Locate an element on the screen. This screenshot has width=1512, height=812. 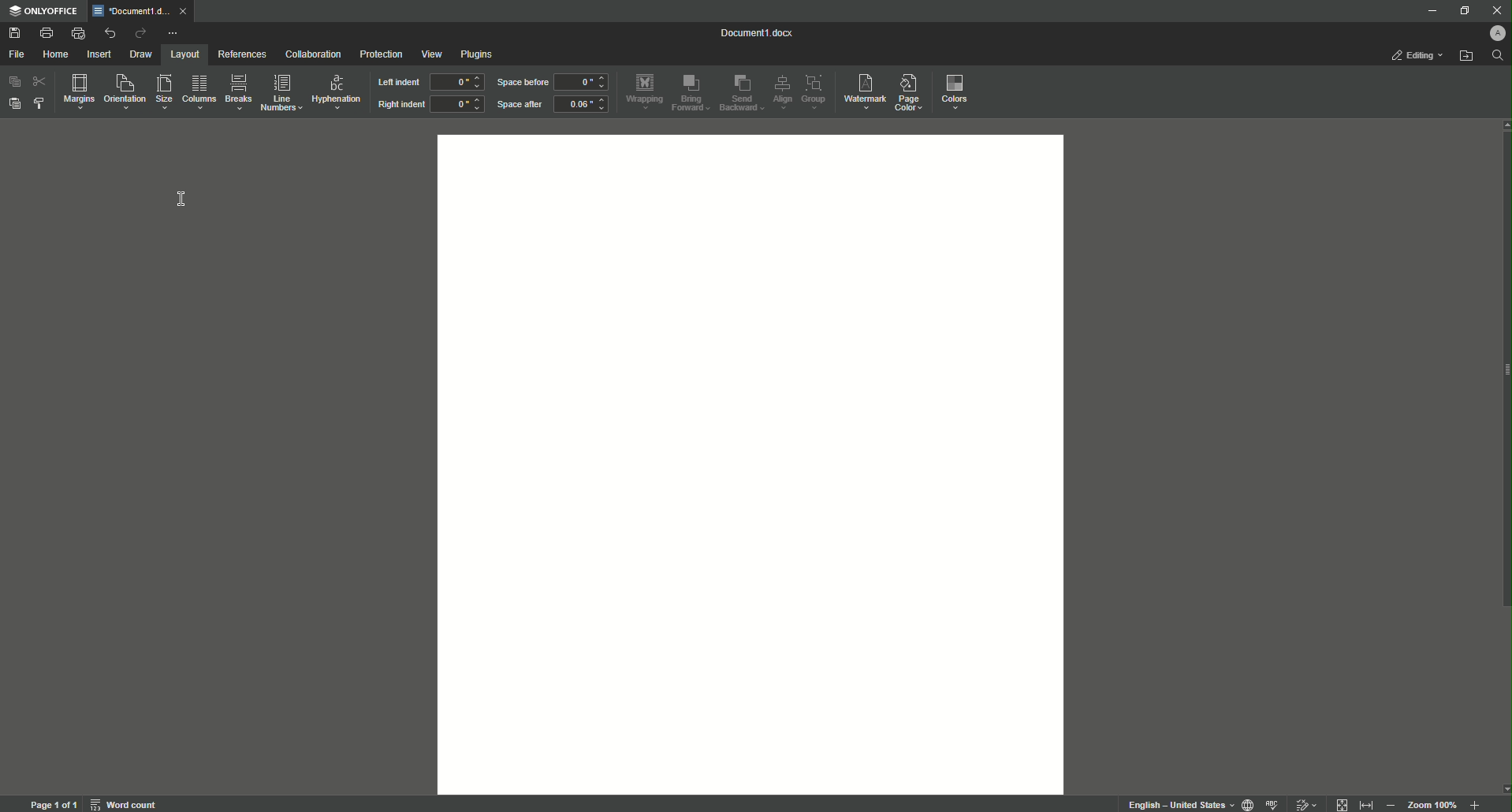
Line Numbers is located at coordinates (281, 94).